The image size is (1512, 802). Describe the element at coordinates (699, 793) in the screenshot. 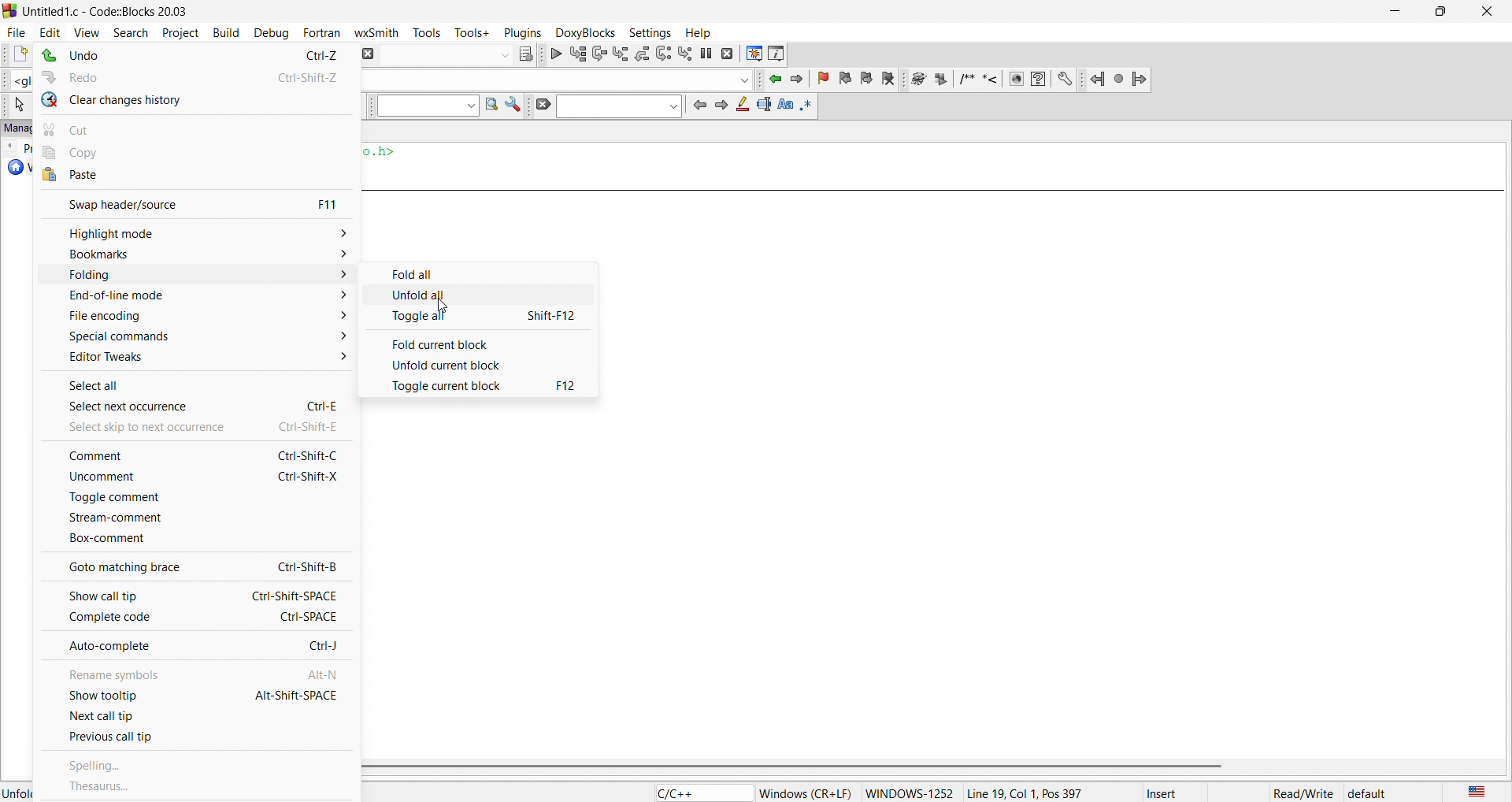

I see `language` at that location.